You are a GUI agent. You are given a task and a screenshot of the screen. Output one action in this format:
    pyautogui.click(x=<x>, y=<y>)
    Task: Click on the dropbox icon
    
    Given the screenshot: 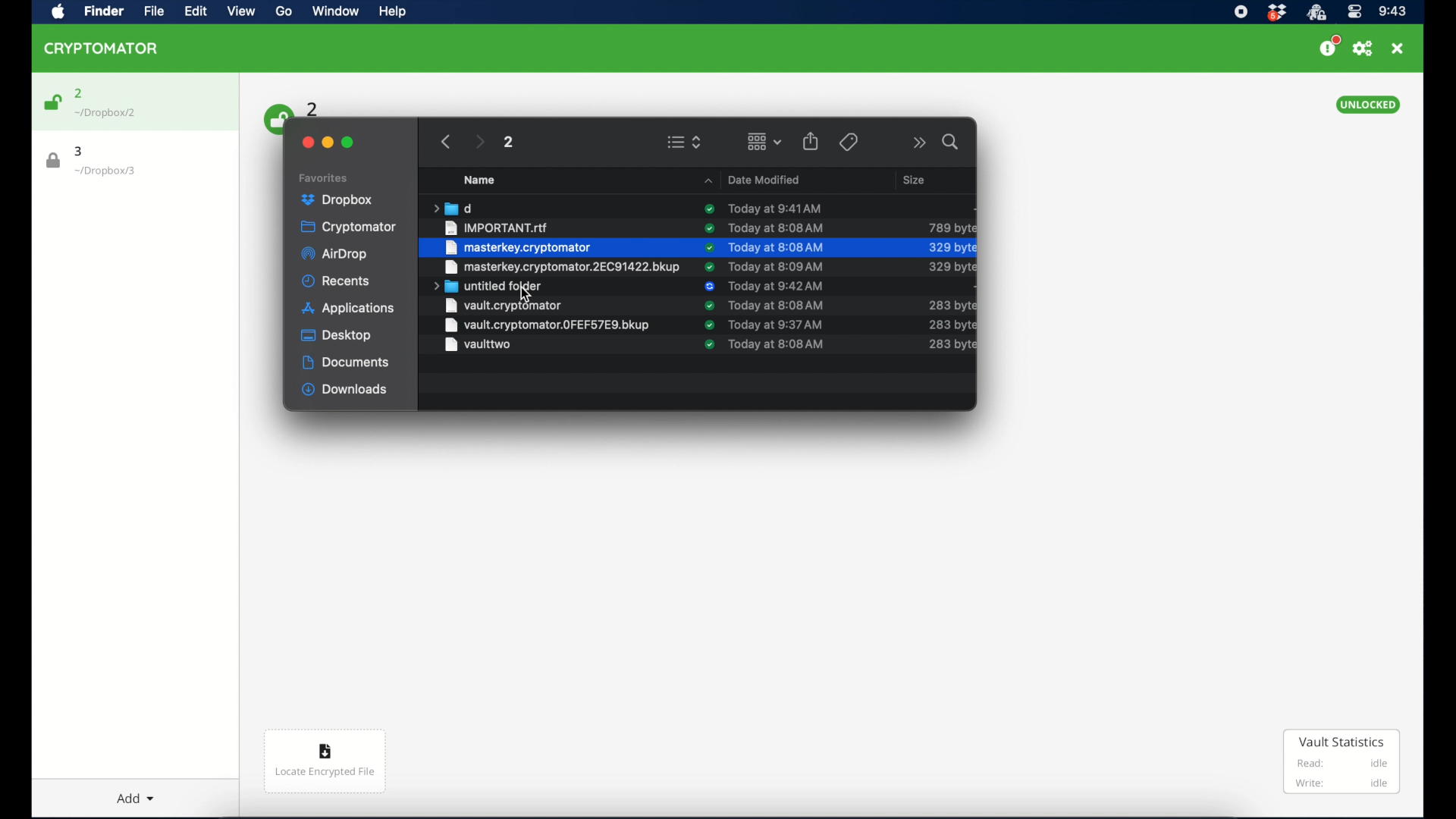 What is the action you would take?
    pyautogui.click(x=1276, y=13)
    